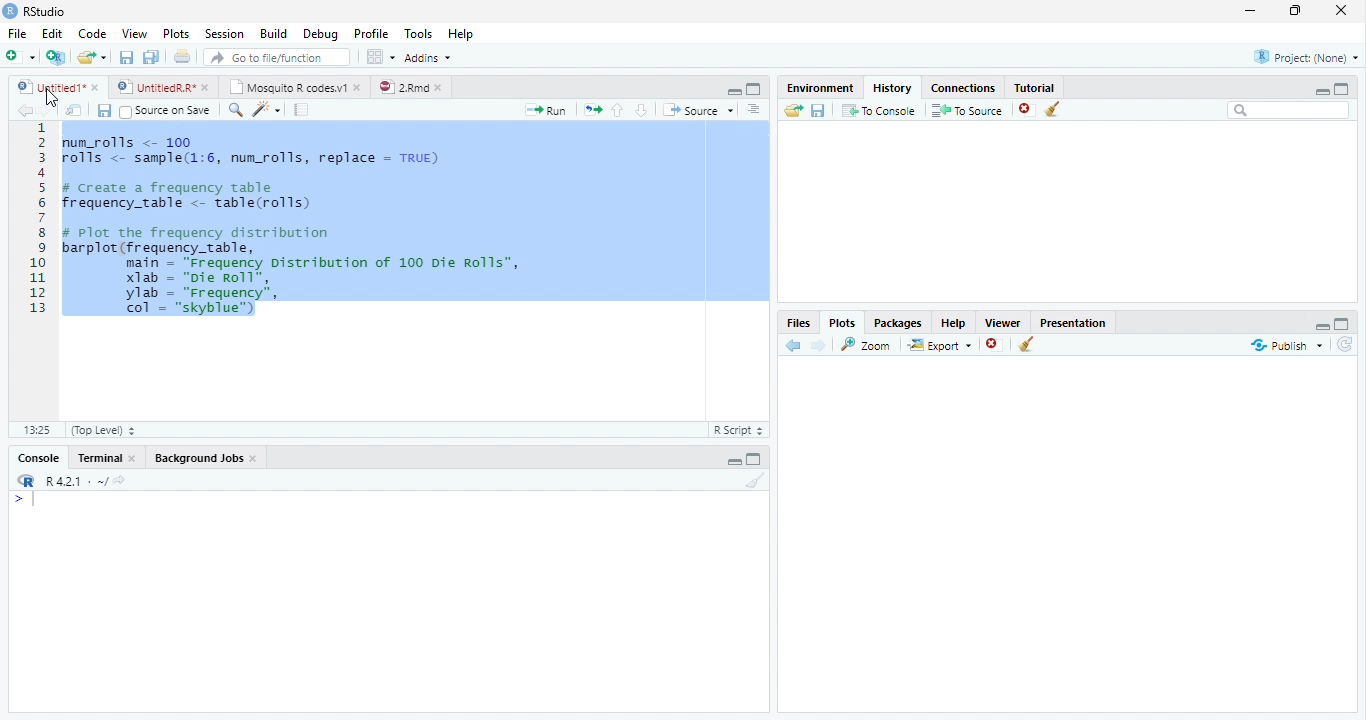 The image size is (1366, 720). I want to click on Run, so click(547, 110).